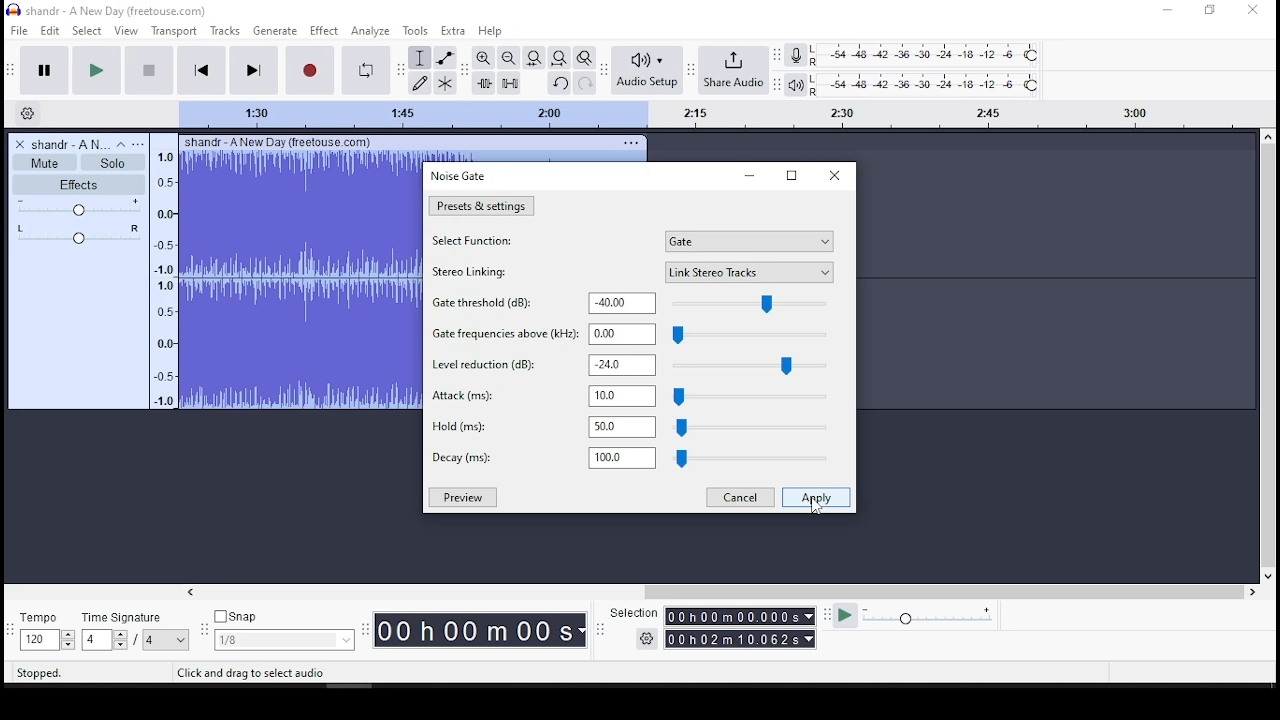  I want to click on undo, so click(560, 82).